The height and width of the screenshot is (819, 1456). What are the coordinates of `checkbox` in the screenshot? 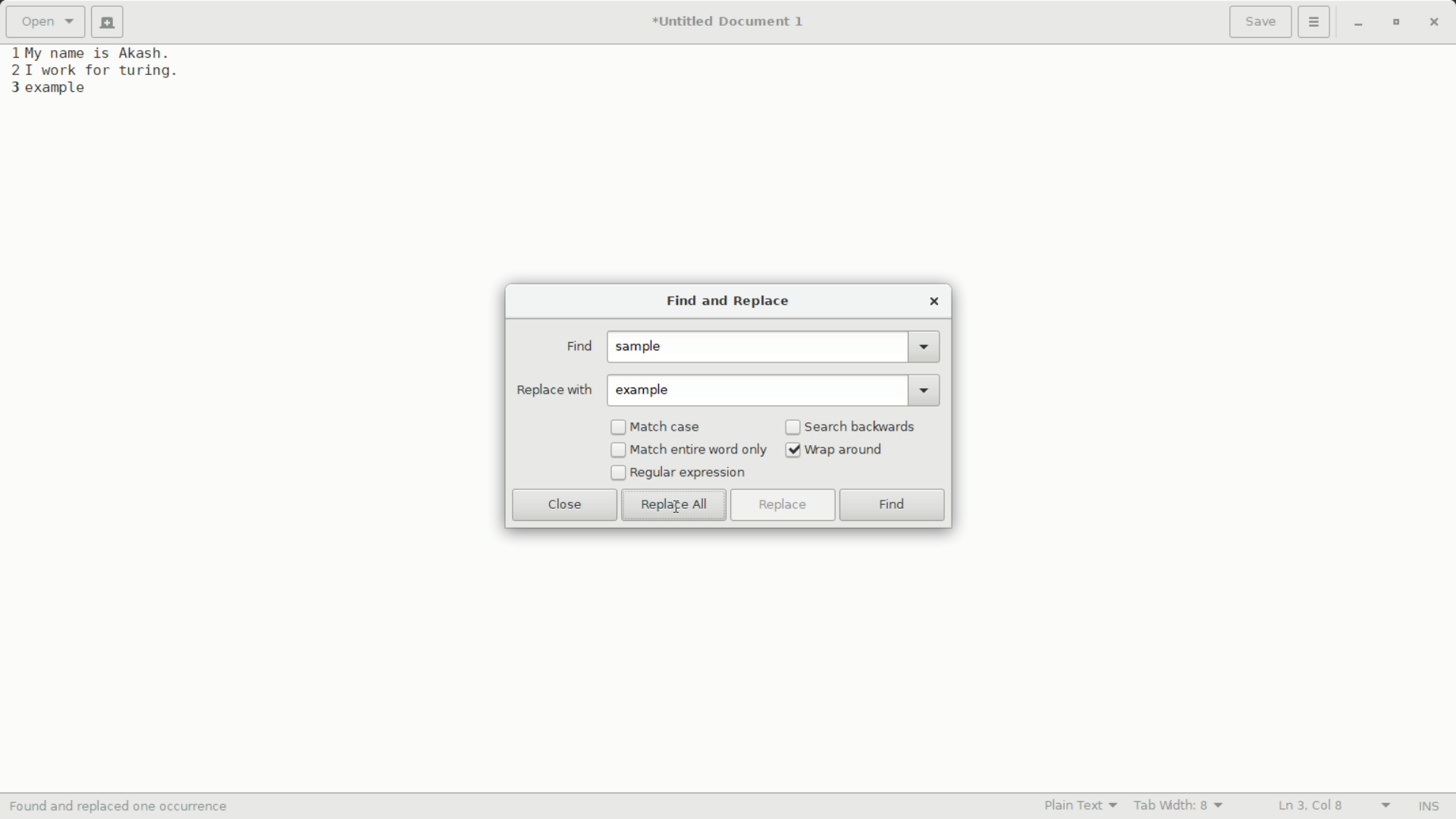 It's located at (618, 451).